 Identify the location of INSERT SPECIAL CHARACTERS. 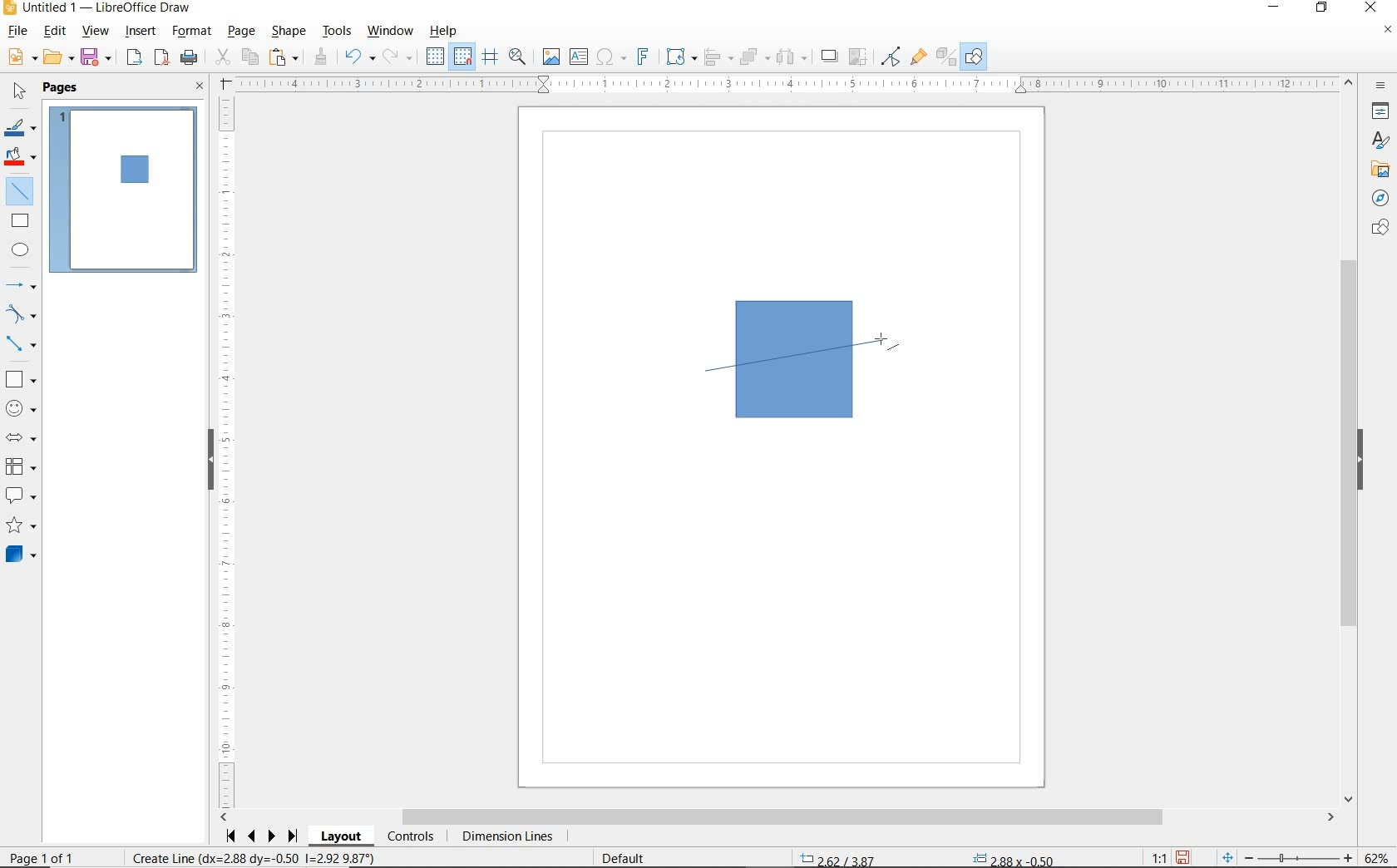
(610, 57).